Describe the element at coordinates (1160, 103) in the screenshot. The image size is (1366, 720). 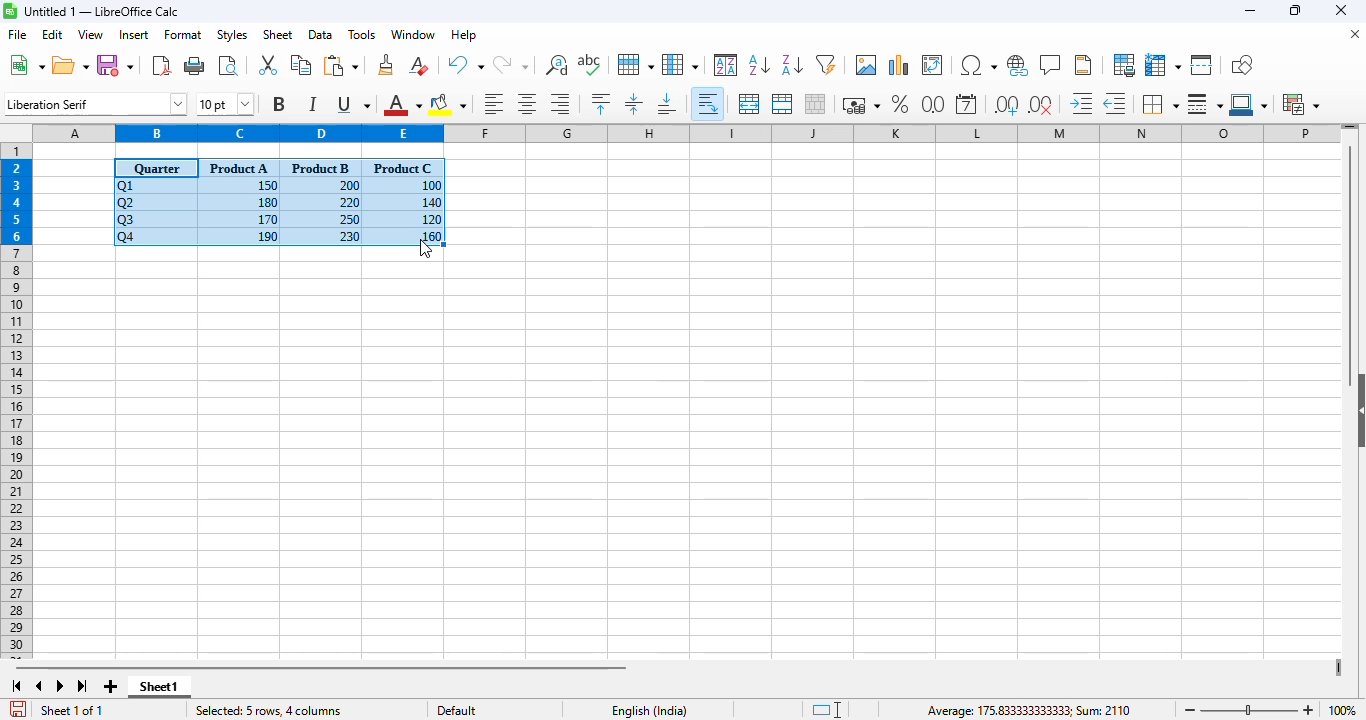
I see `borders` at that location.